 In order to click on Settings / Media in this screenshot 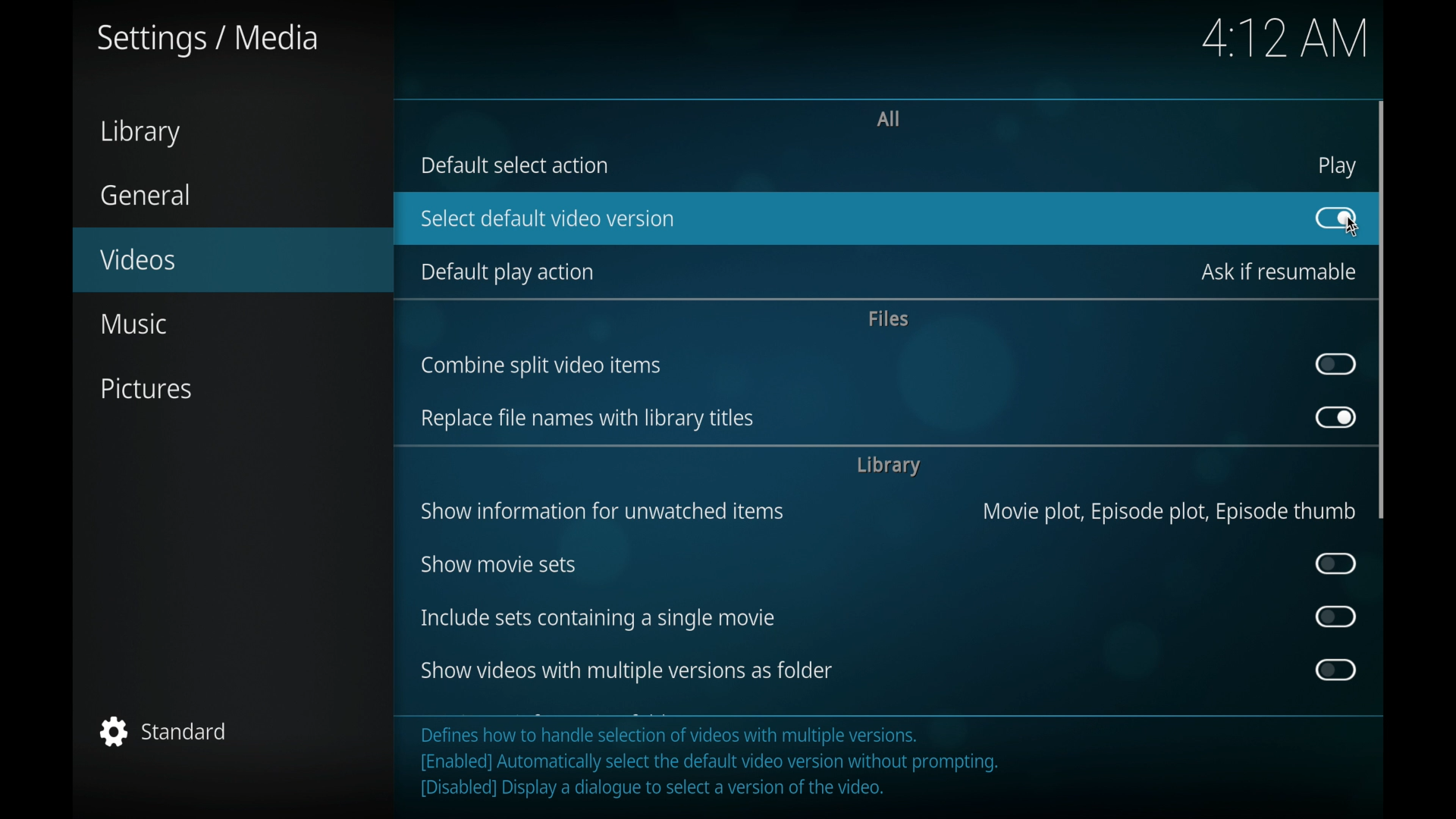, I will do `click(212, 40)`.